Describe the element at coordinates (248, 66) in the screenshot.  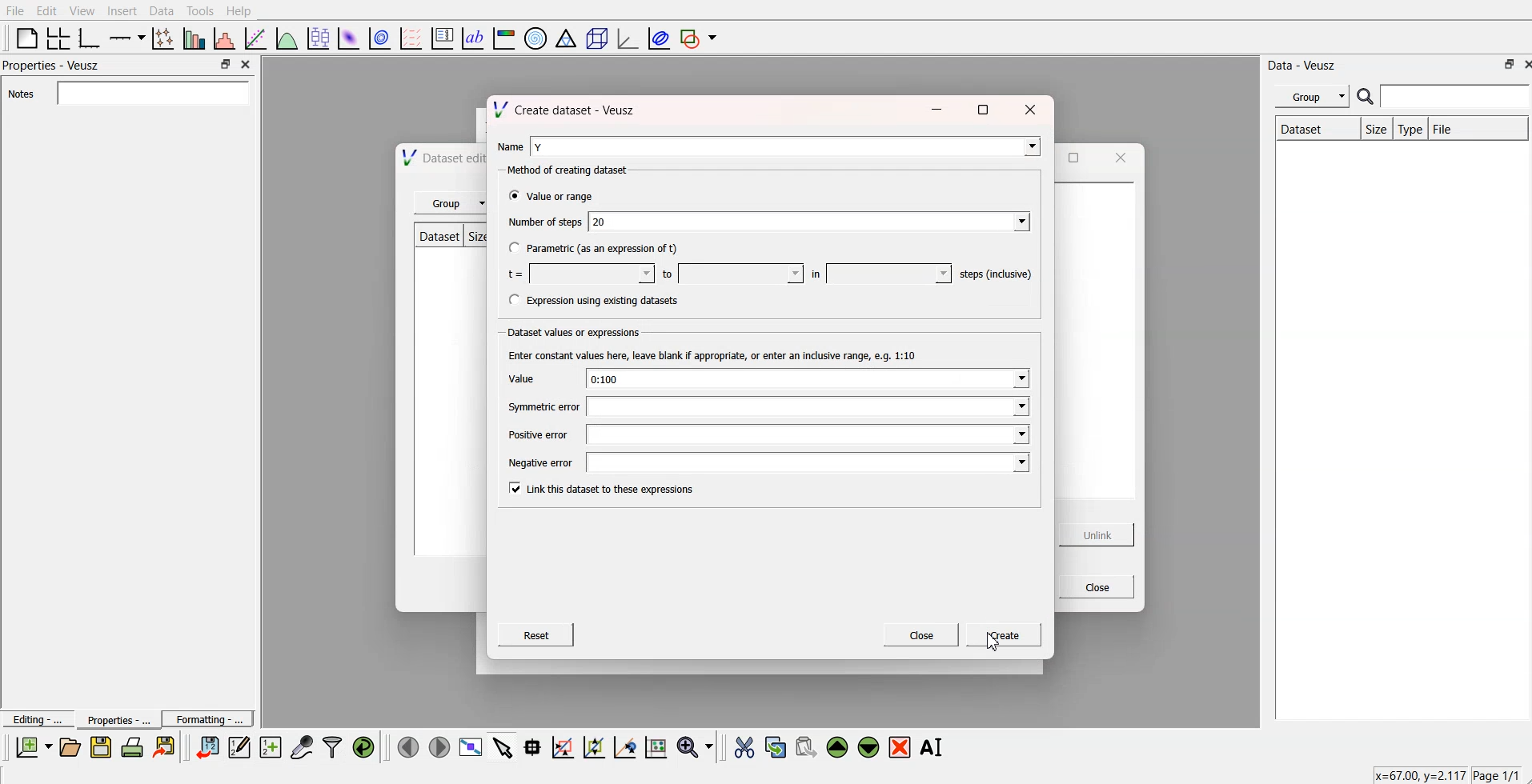
I see `Close` at that location.